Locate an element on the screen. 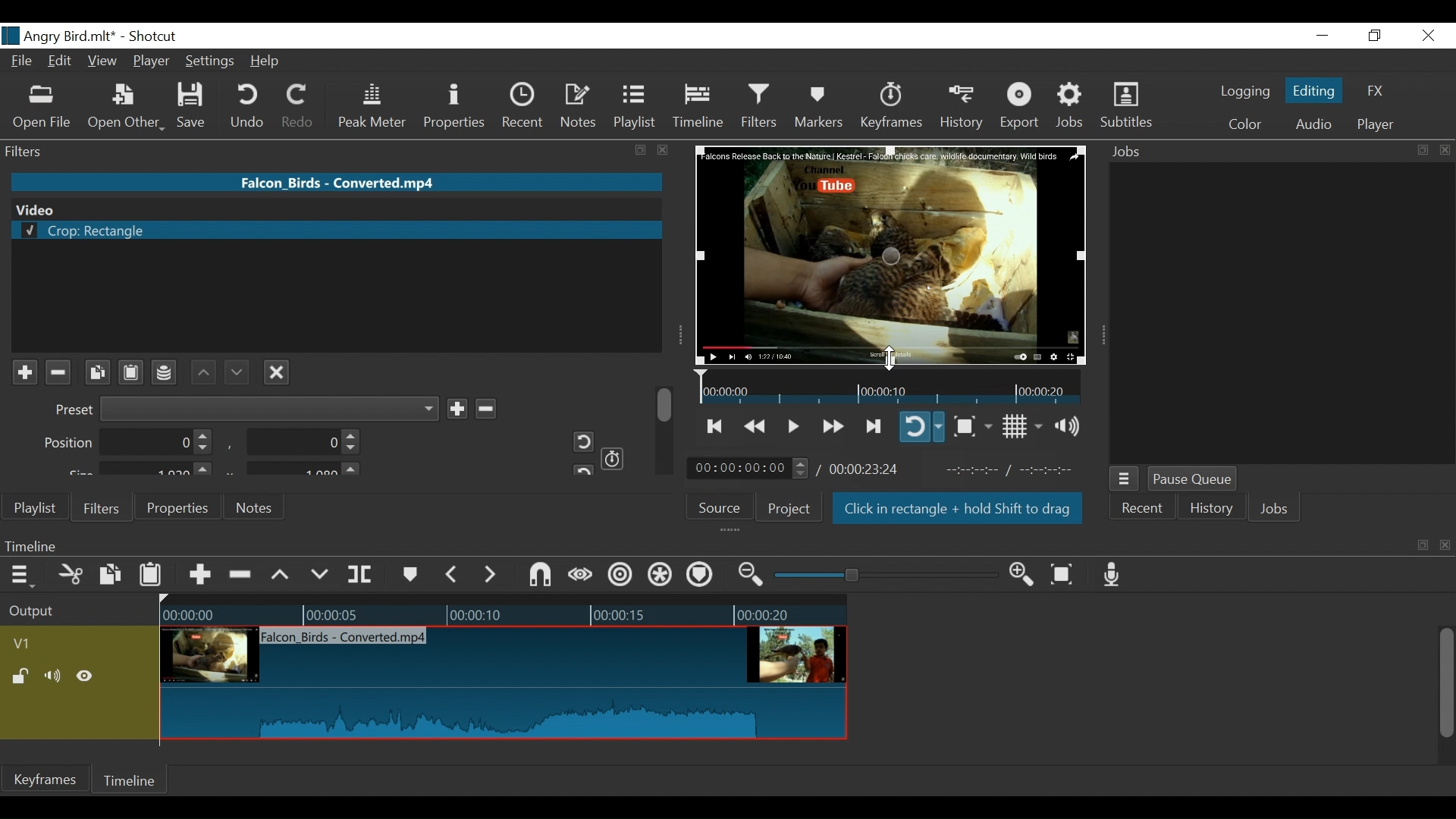  Jobs Menu is located at coordinates (1122, 480).